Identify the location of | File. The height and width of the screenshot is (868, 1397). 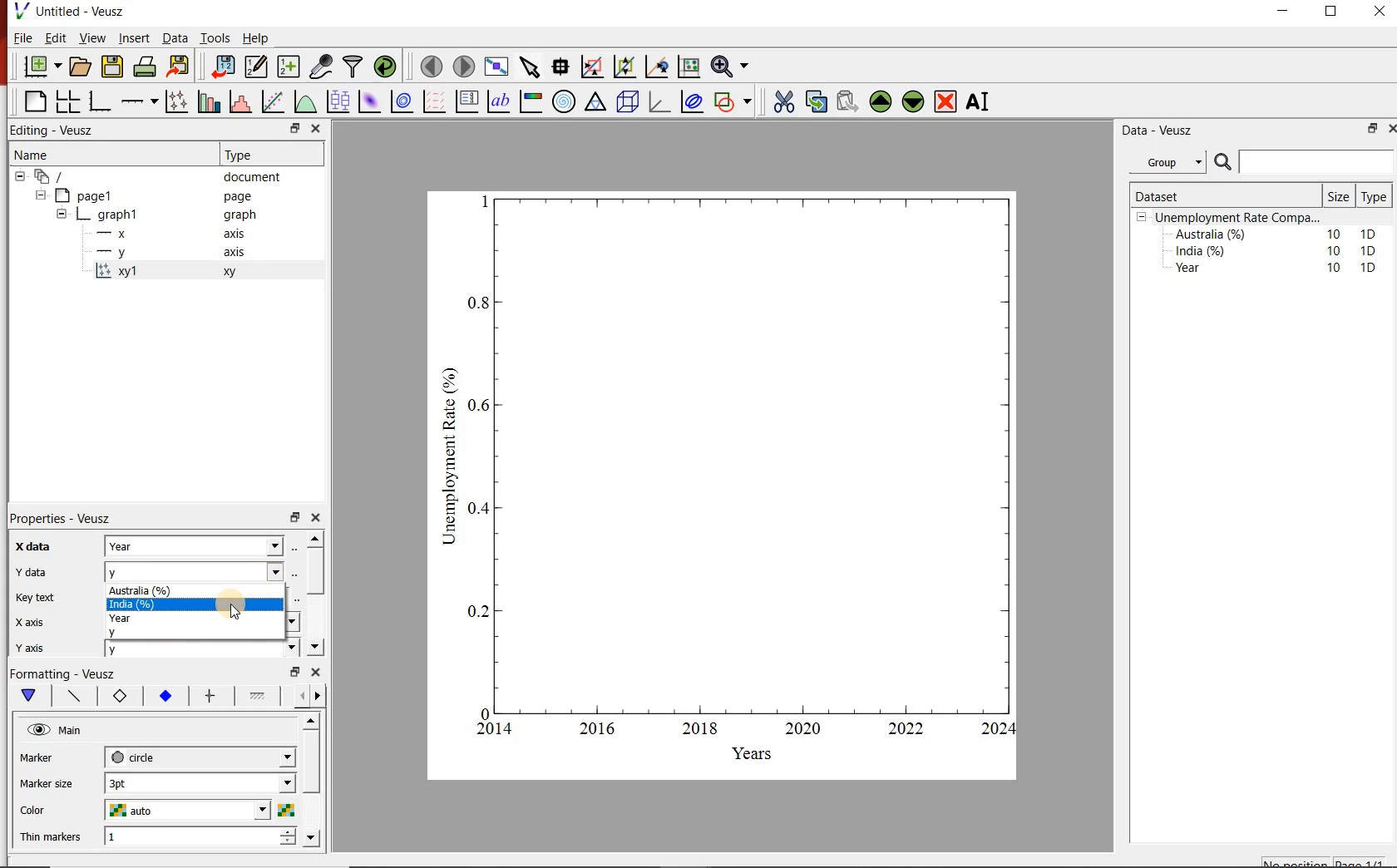
(19, 37).